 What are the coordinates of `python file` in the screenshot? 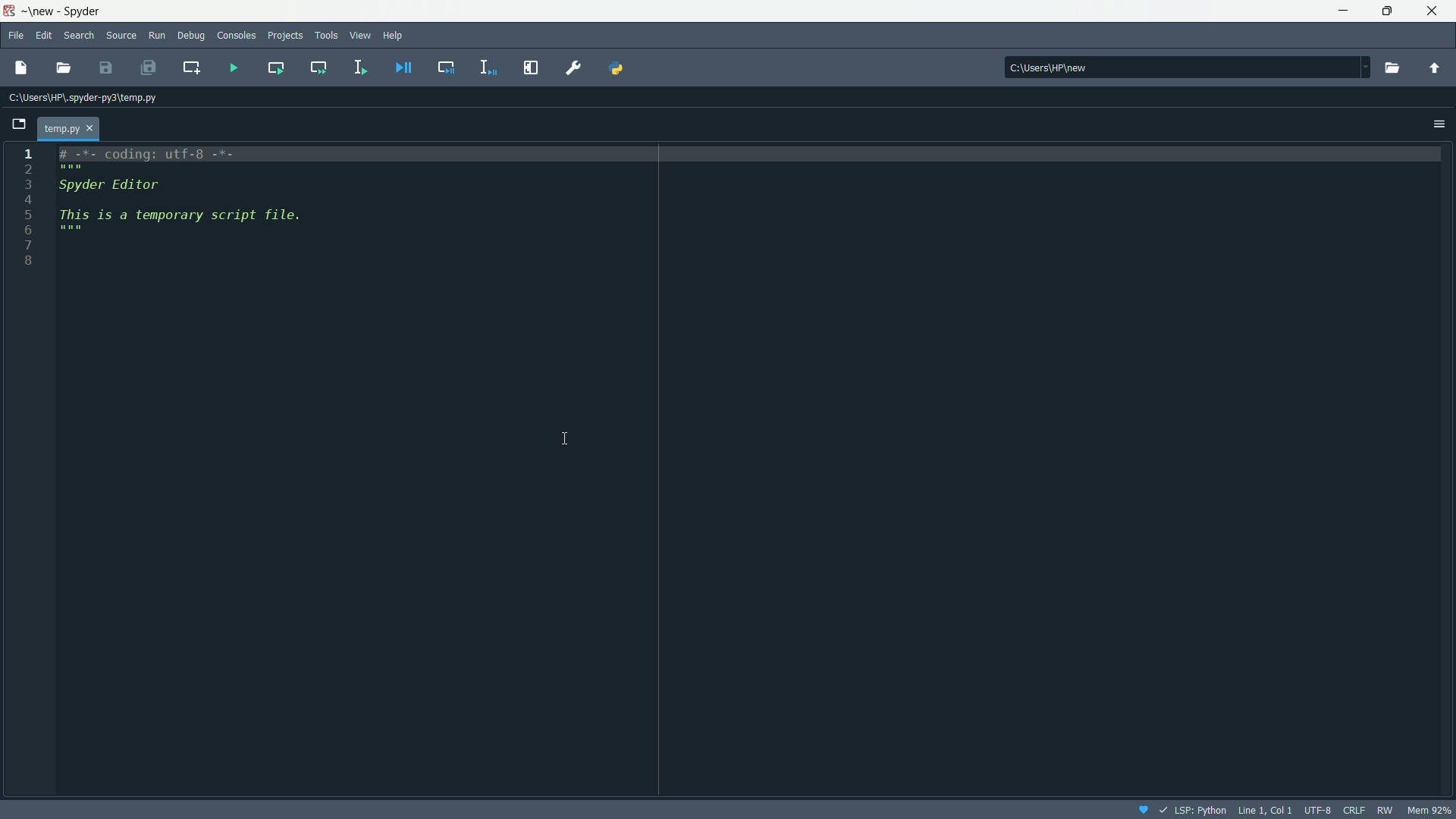 It's located at (77, 125).